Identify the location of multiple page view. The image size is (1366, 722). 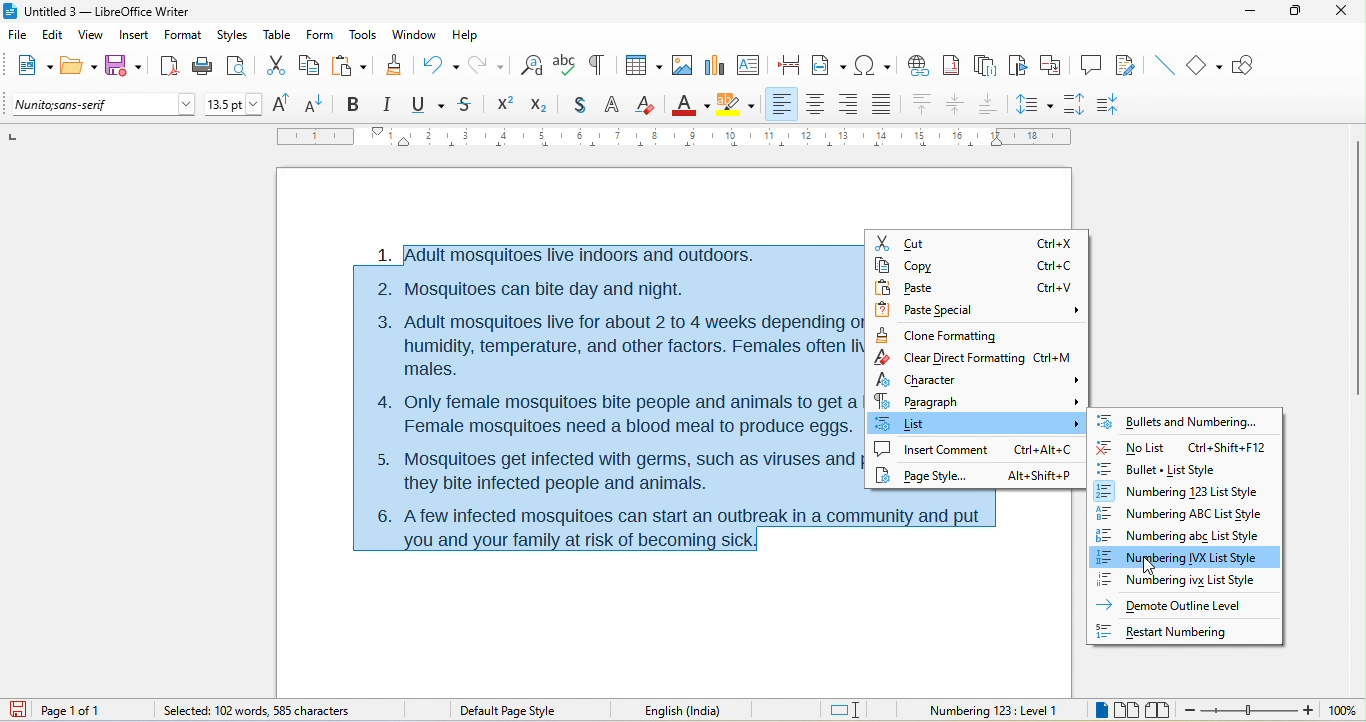
(1127, 711).